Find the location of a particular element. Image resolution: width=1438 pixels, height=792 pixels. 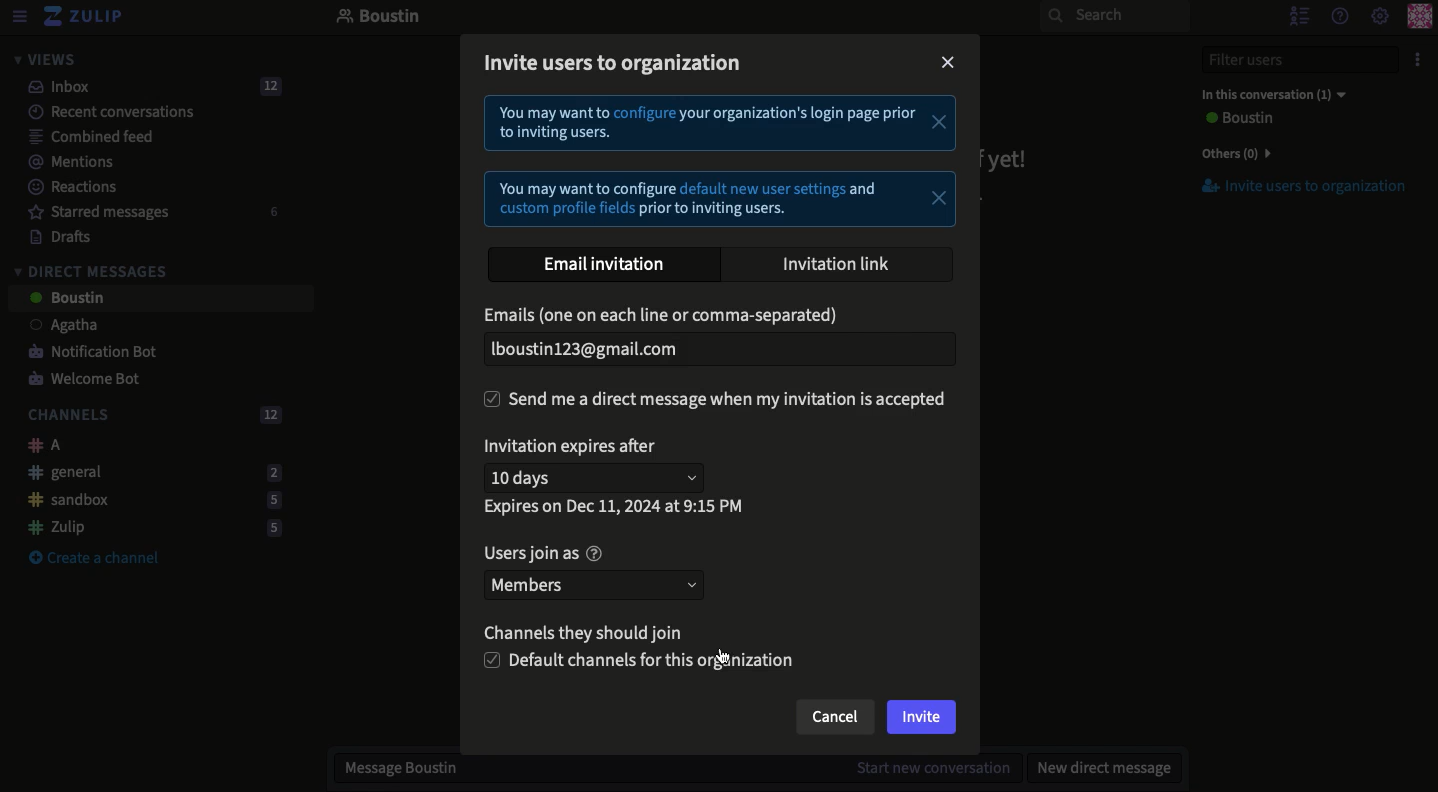

New DM is located at coordinates (1099, 767).